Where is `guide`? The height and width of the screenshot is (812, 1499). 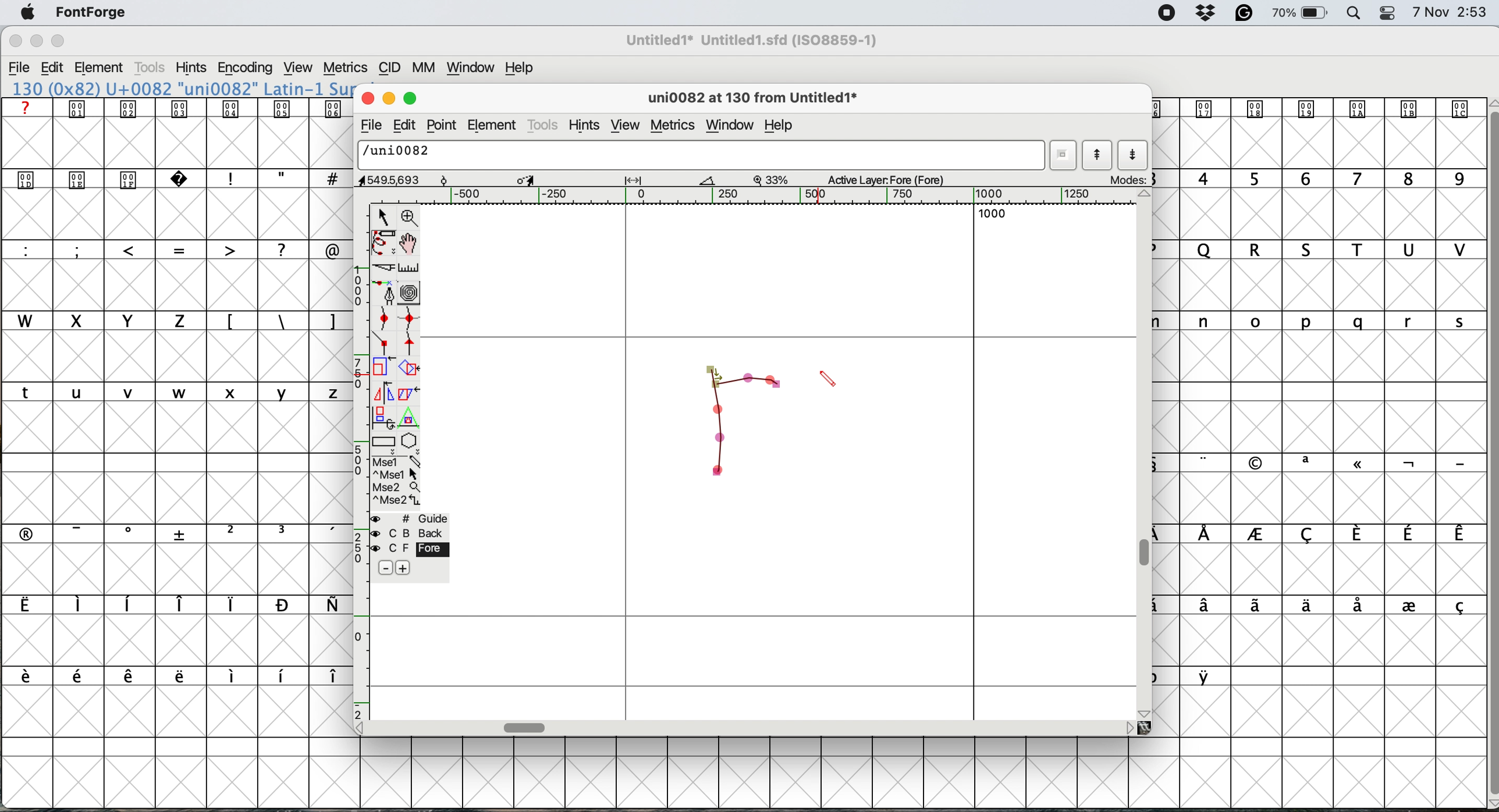
guide is located at coordinates (413, 518).